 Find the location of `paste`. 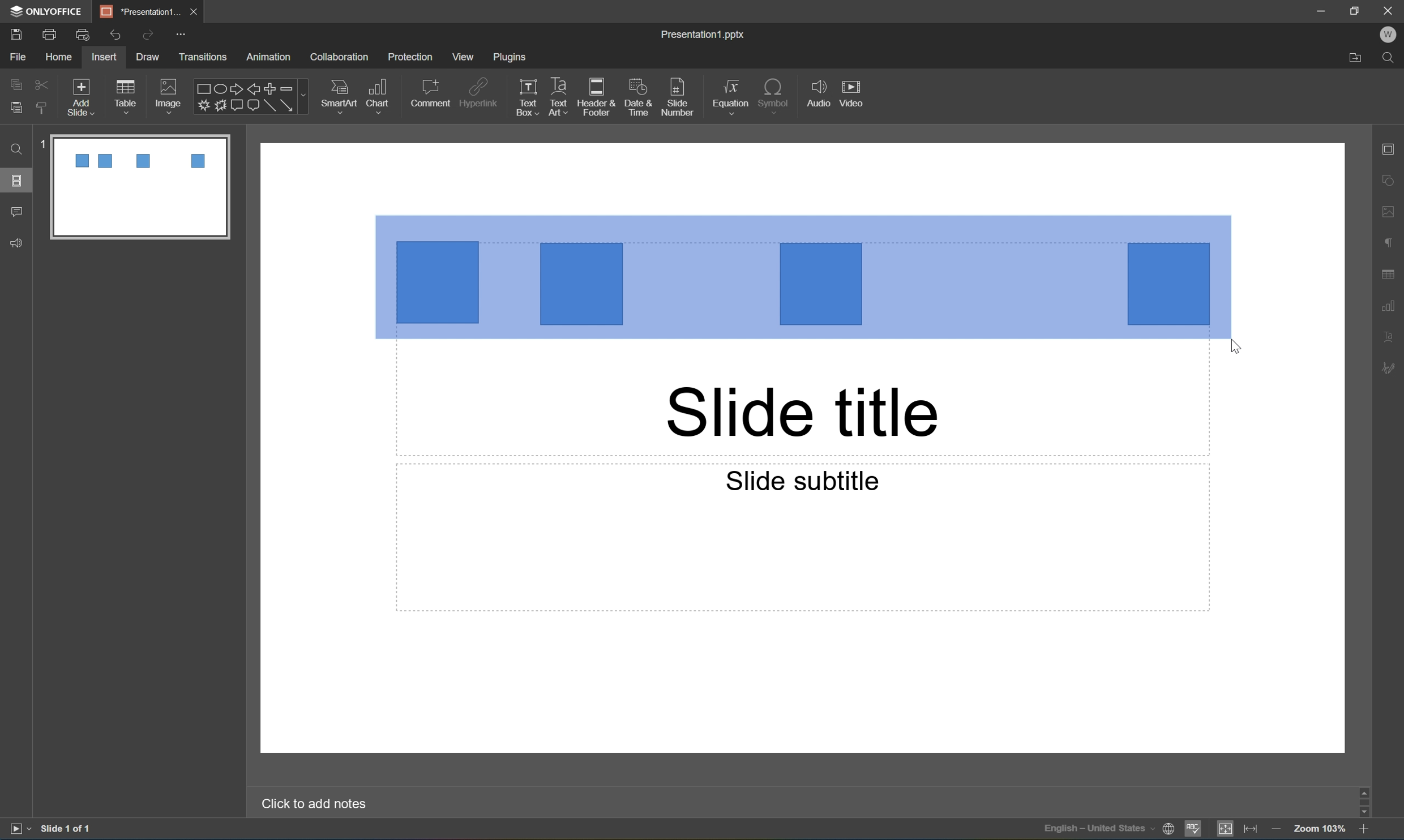

paste is located at coordinates (18, 109).